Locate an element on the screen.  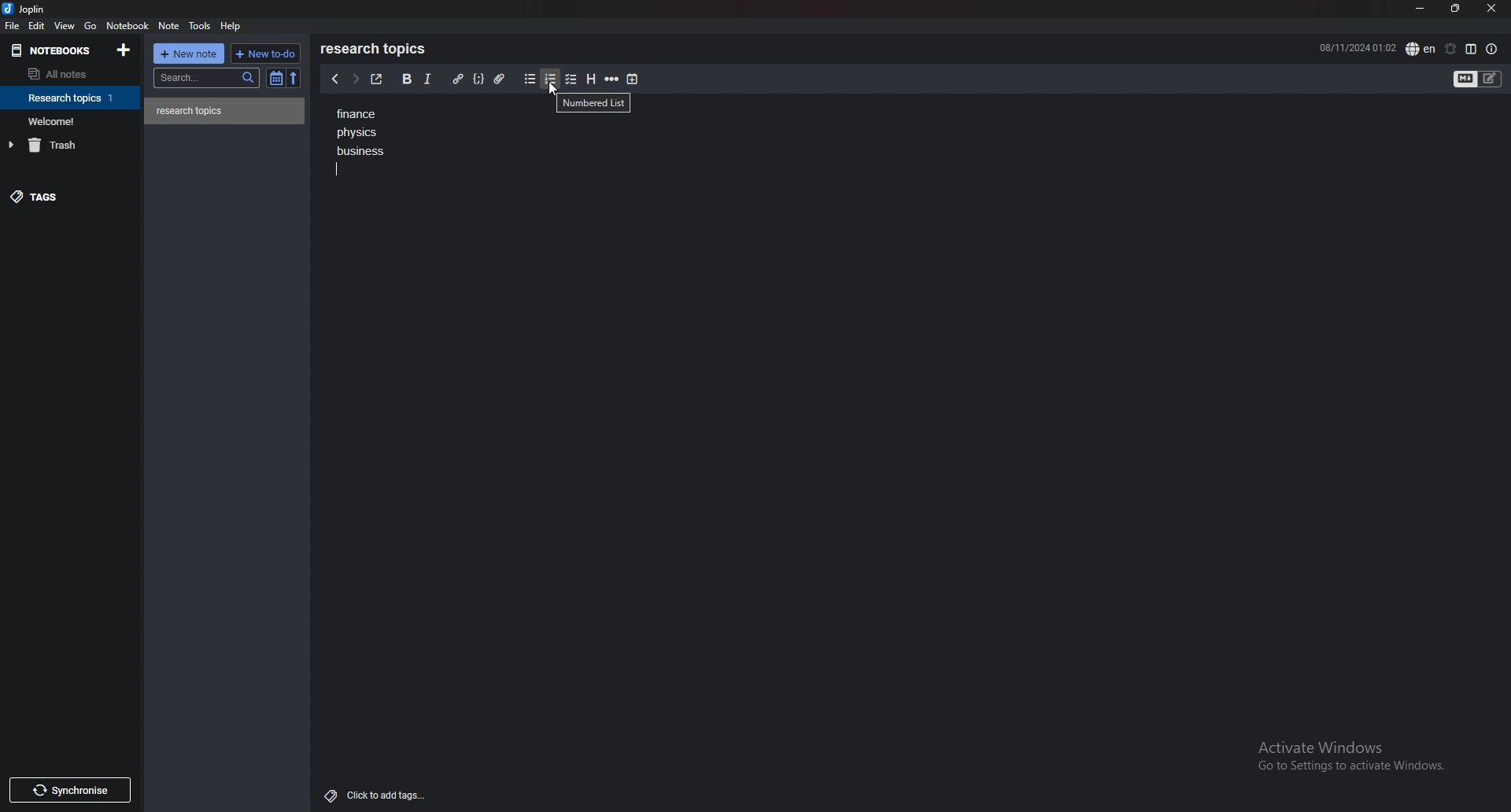
note is located at coordinates (168, 26).